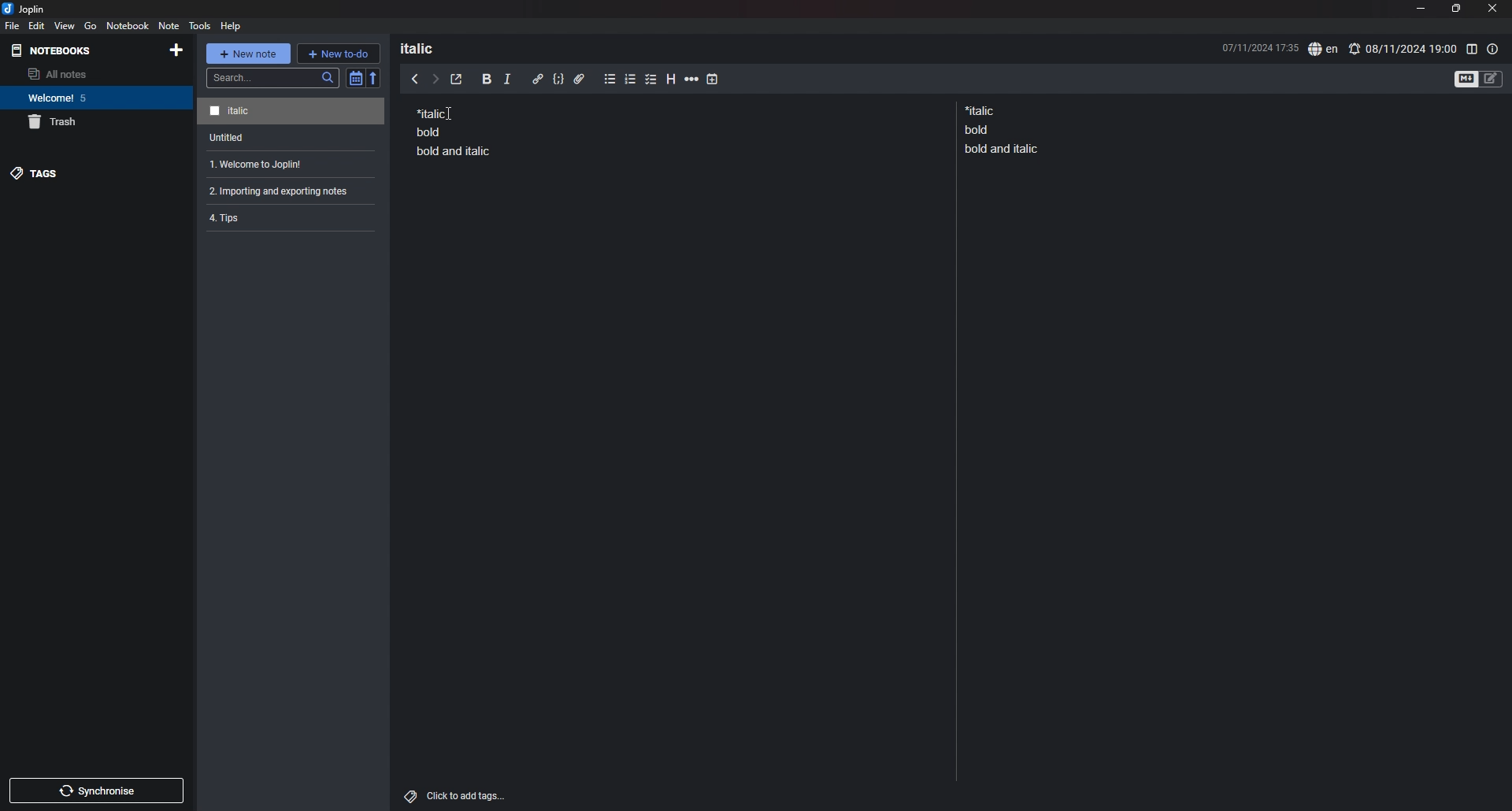  Describe the element at coordinates (1403, 48) in the screenshot. I see `set alarm` at that location.